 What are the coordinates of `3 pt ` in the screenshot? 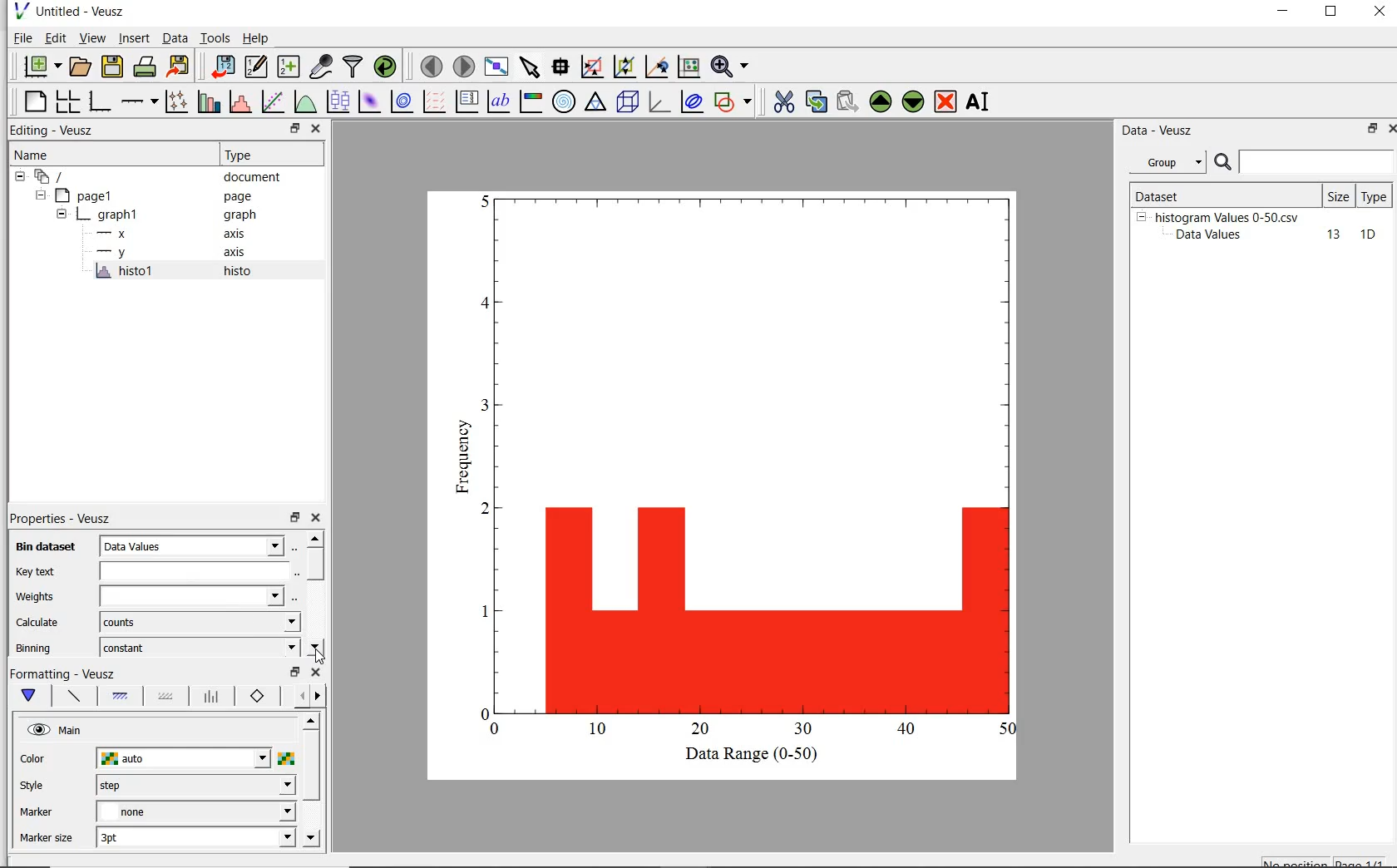 It's located at (195, 836).